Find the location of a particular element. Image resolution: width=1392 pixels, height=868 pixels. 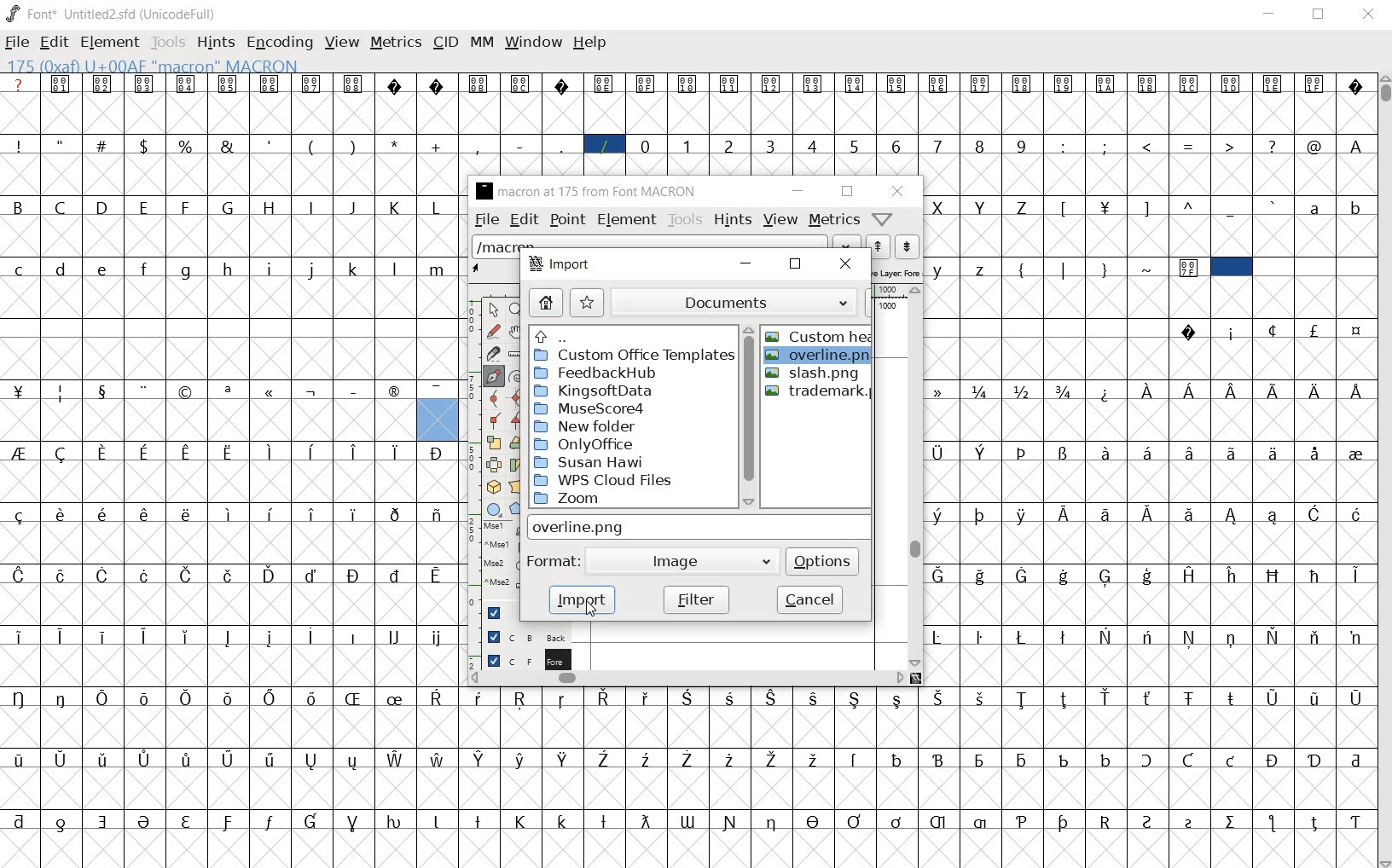

h is located at coordinates (229, 268).